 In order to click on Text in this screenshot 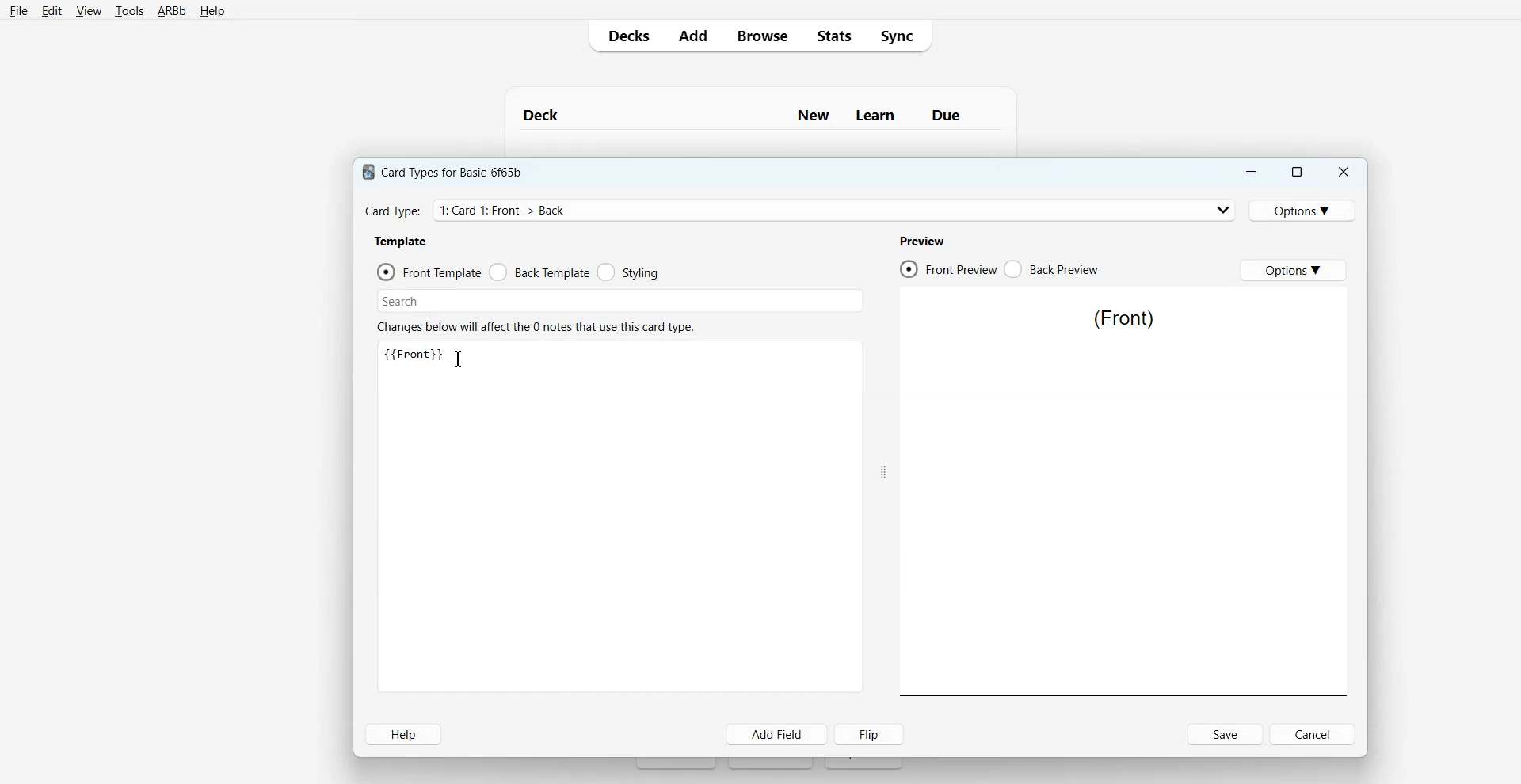, I will do `click(760, 108)`.